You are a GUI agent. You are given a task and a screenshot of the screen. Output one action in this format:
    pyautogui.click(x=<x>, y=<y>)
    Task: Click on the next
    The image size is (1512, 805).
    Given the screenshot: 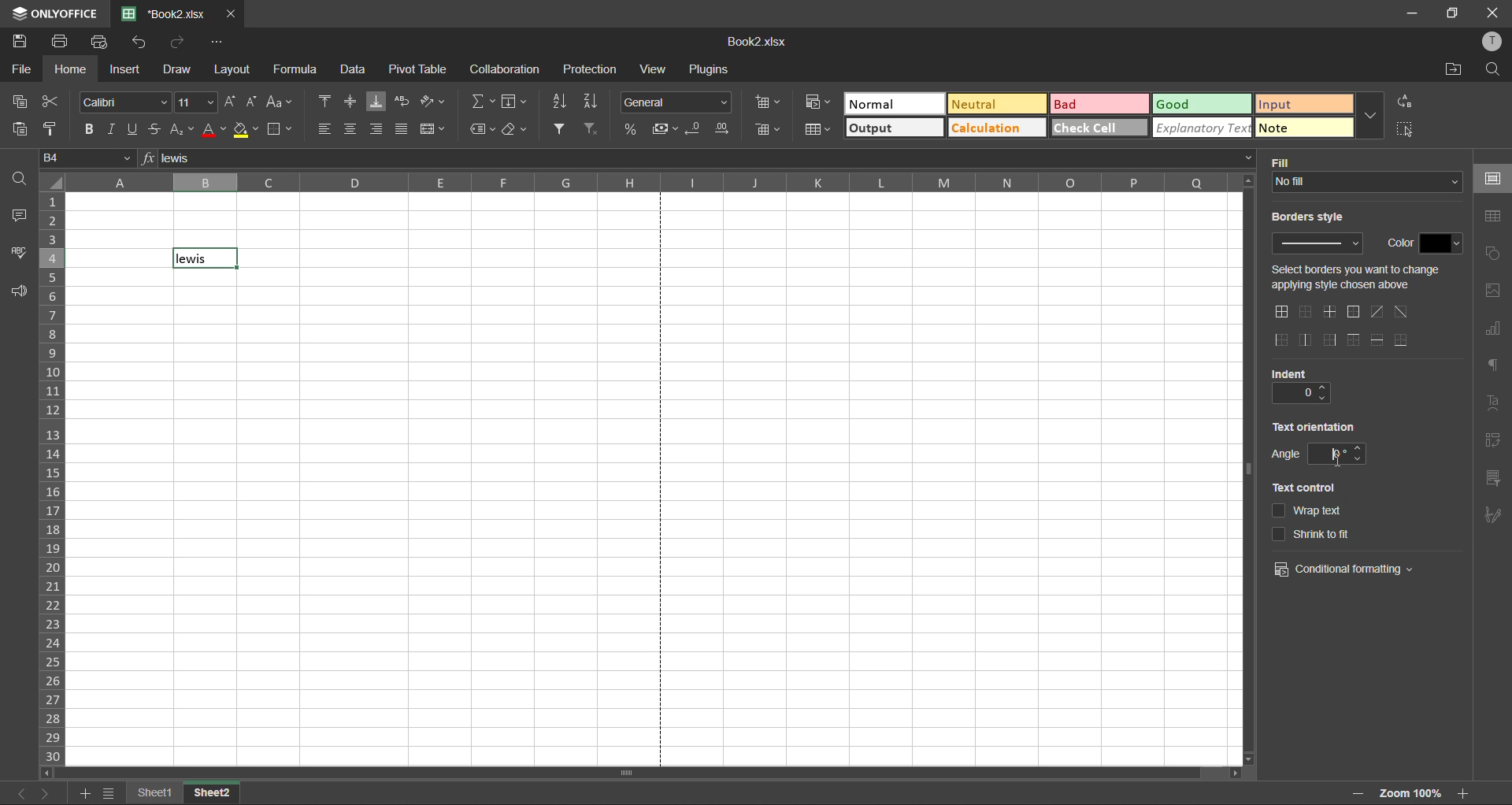 What is the action you would take?
    pyautogui.click(x=45, y=796)
    